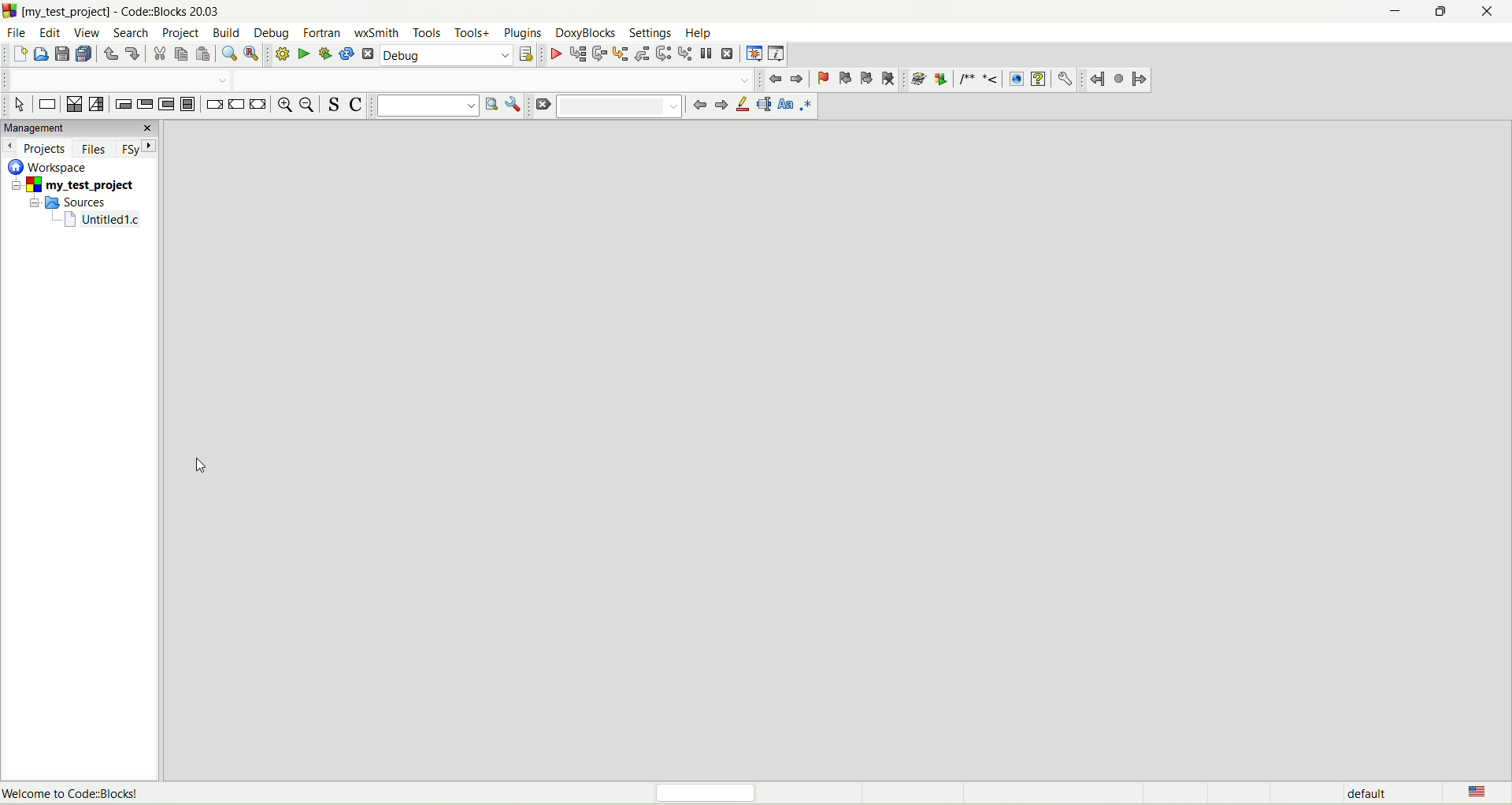  I want to click on cut, so click(160, 54).